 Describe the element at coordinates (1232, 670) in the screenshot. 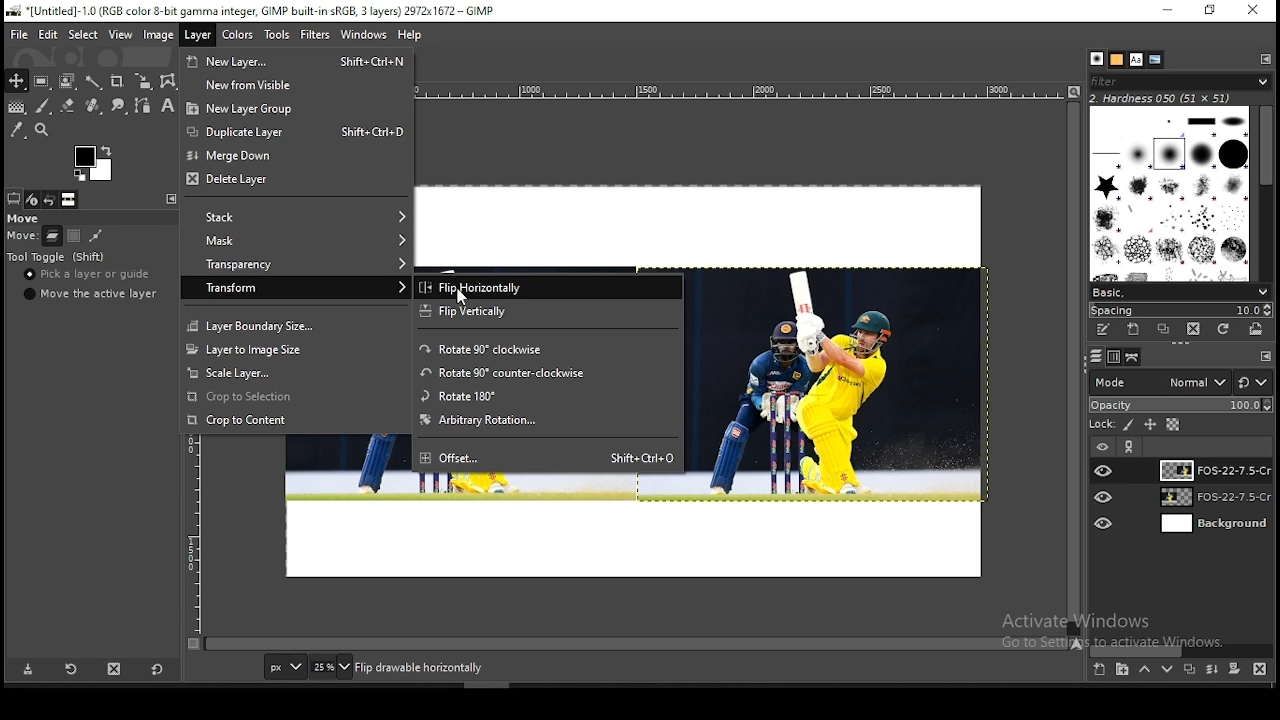

I see `add a mask` at that location.